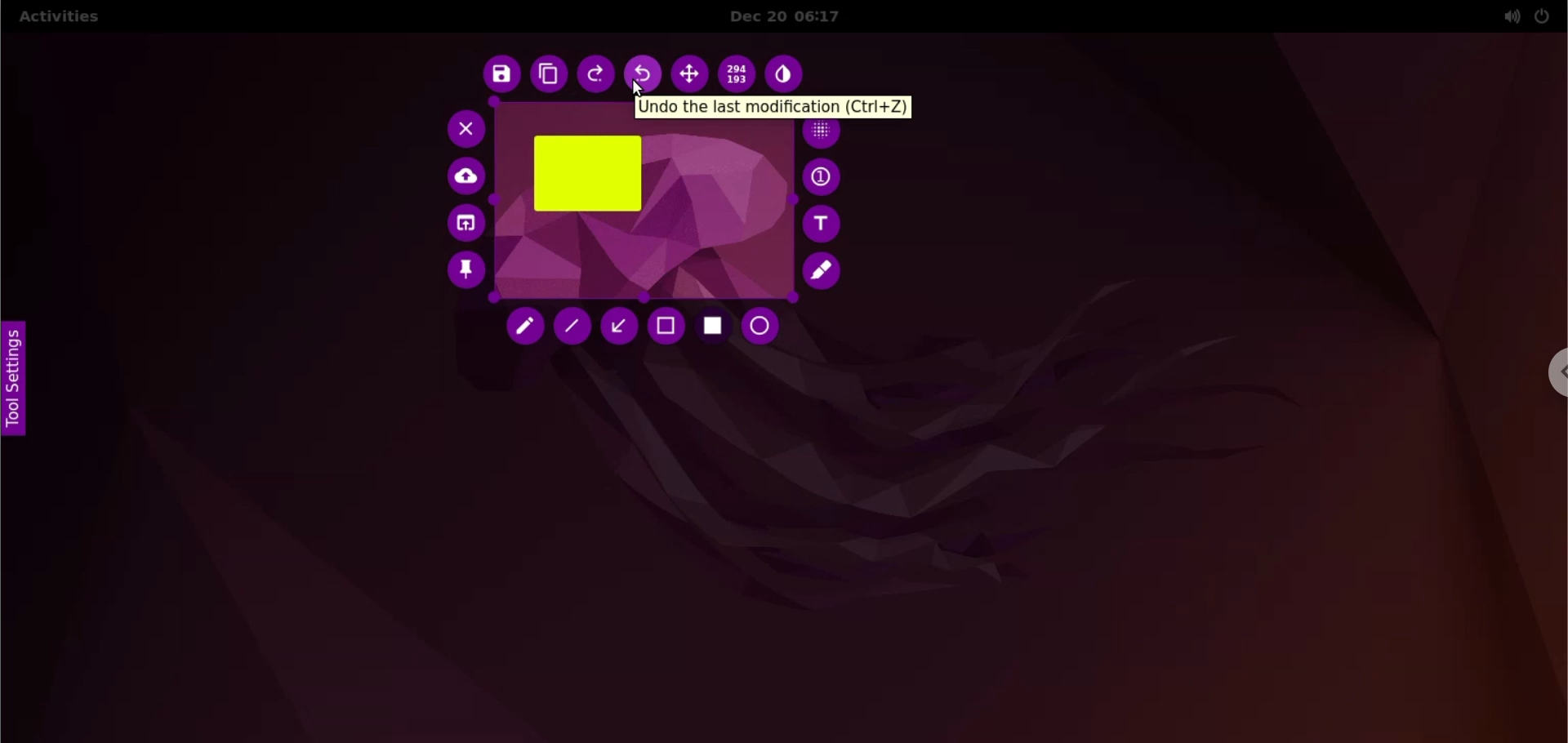 Image resolution: width=1568 pixels, height=743 pixels. I want to click on inverter tool, so click(787, 74).